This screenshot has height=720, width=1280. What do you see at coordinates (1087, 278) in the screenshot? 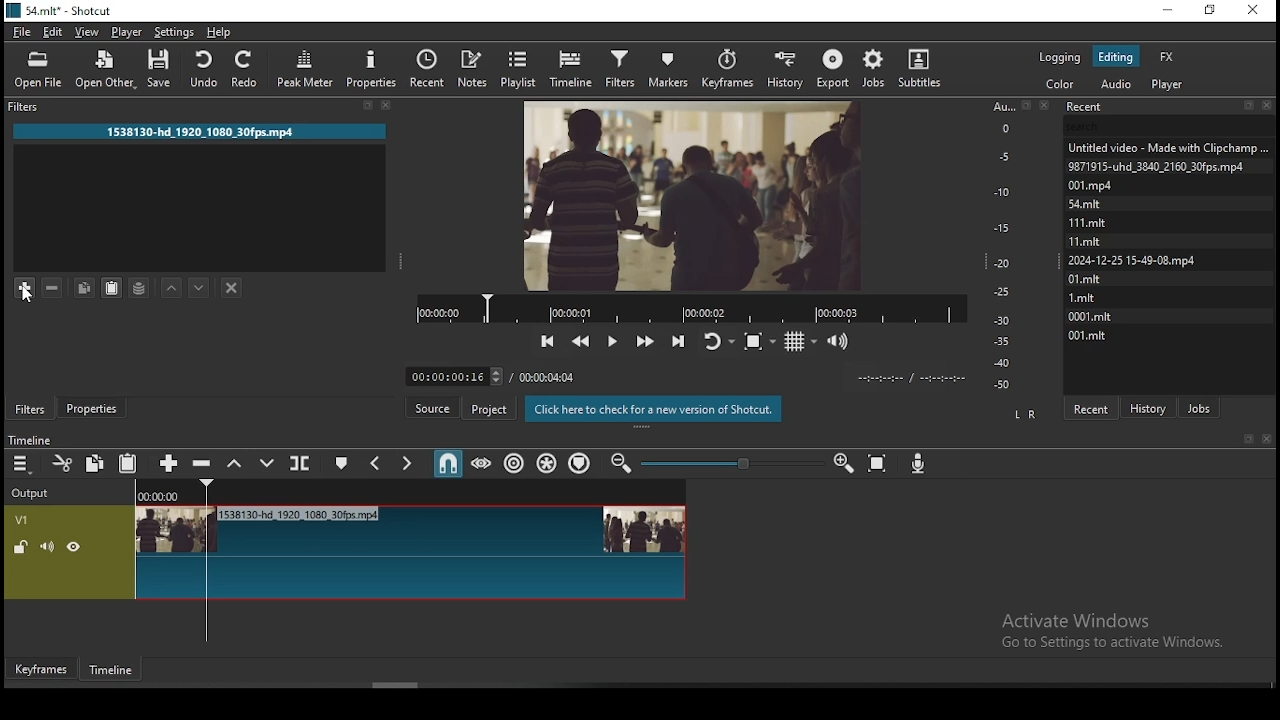
I see `0l.mit` at bounding box center [1087, 278].